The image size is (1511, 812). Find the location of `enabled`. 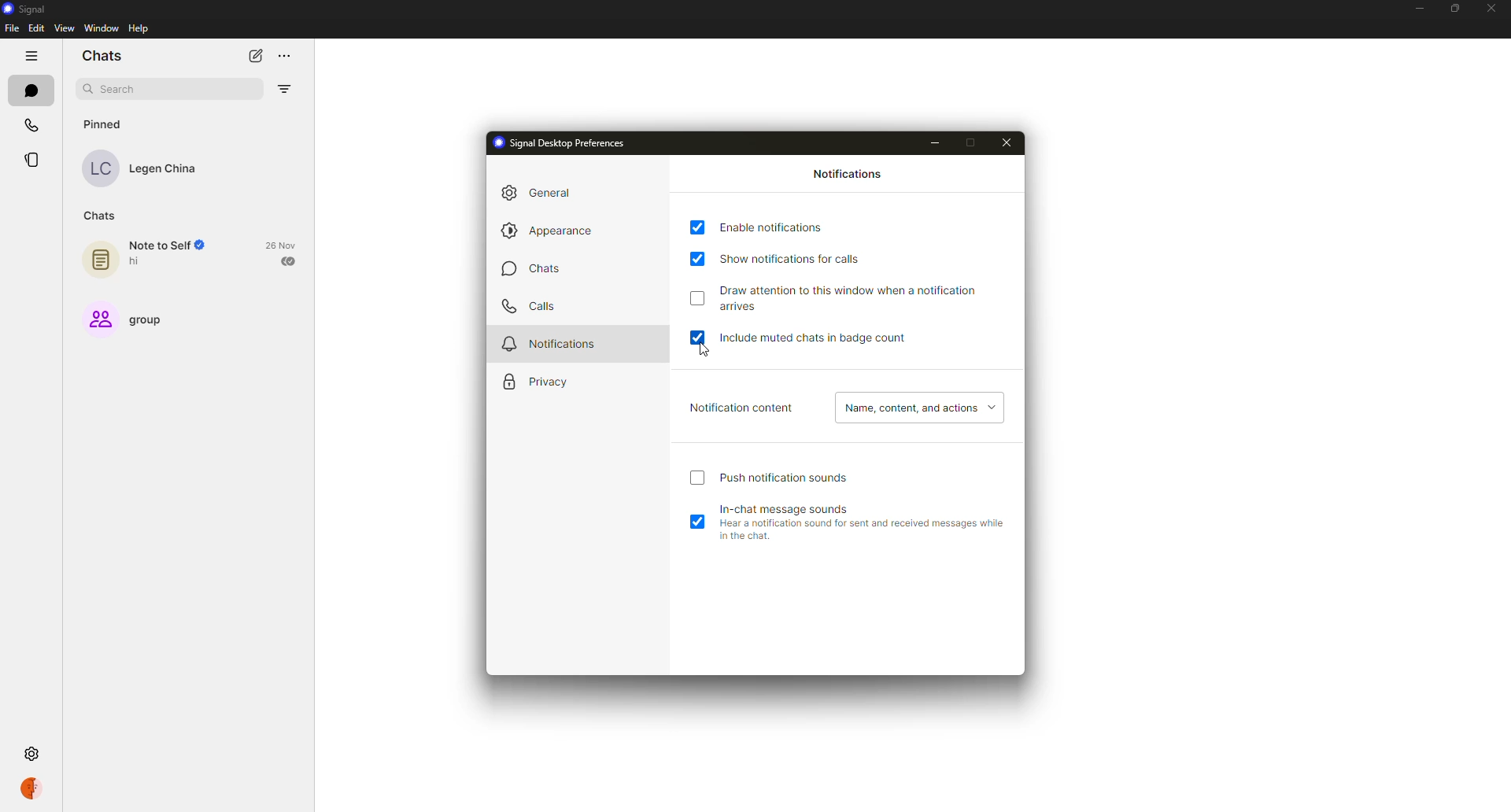

enabled is located at coordinates (701, 337).